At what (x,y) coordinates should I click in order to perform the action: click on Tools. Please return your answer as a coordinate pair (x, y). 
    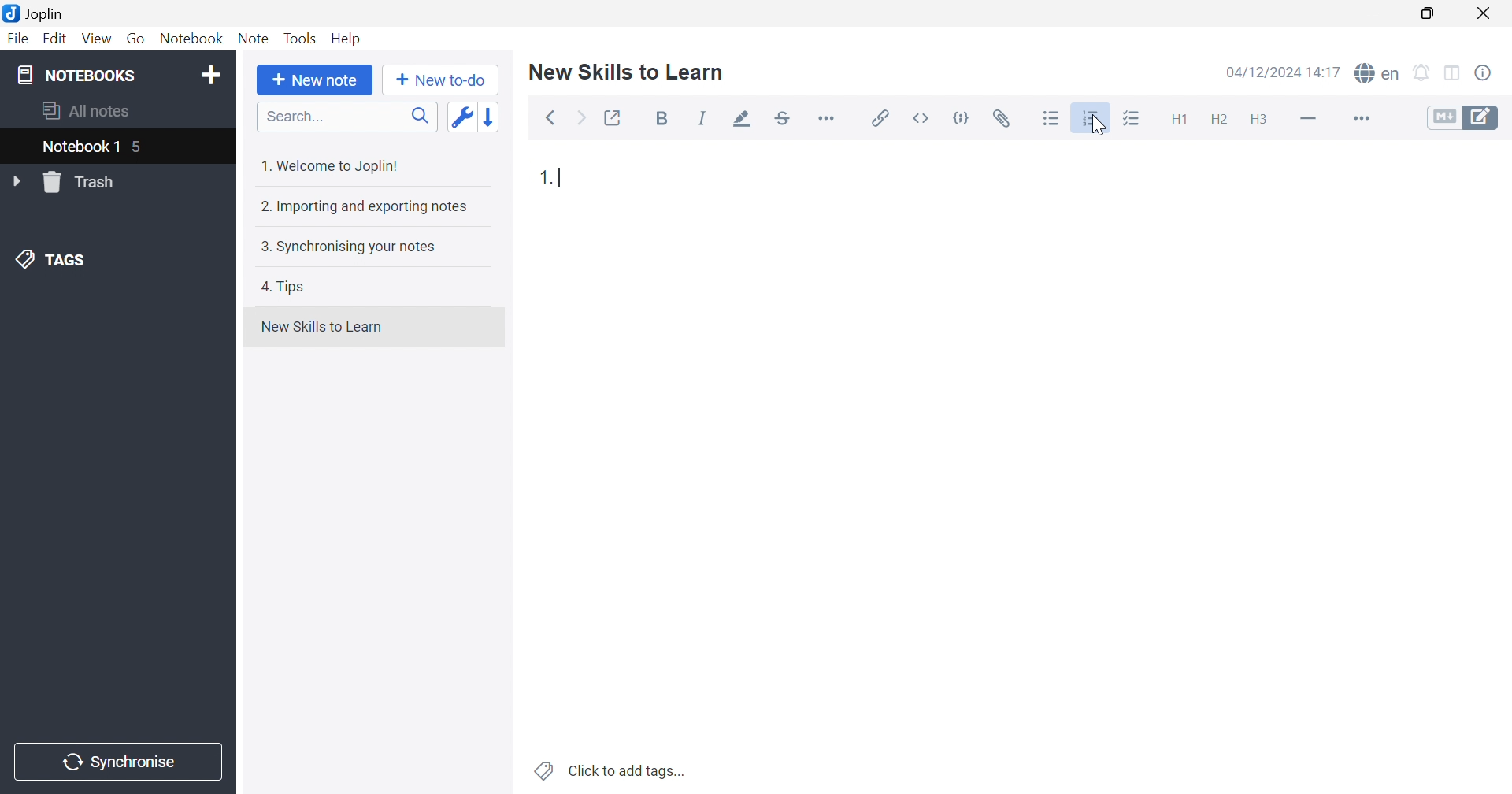
    Looking at the image, I should click on (300, 38).